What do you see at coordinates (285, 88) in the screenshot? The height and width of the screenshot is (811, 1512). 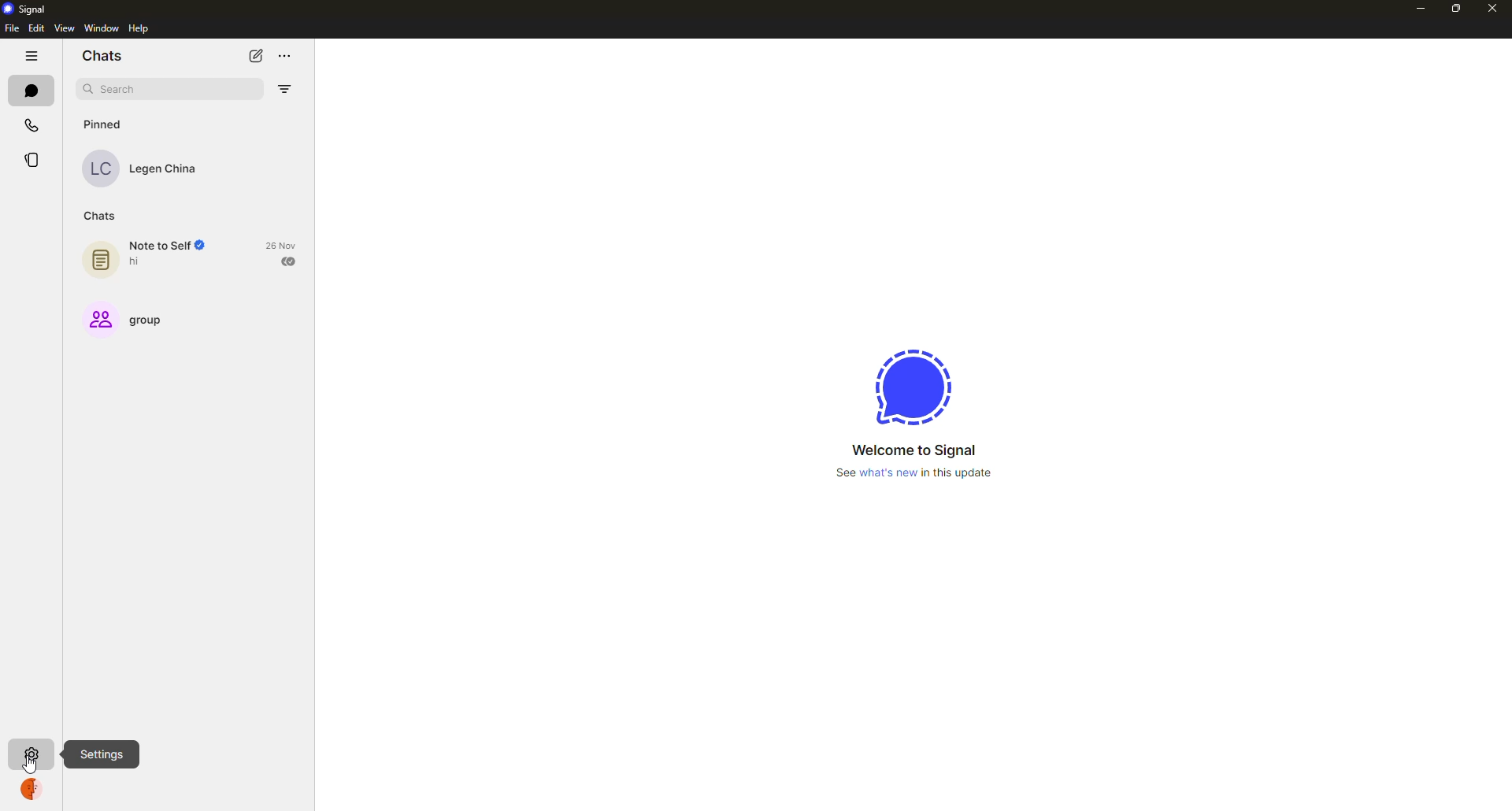 I see `filter` at bounding box center [285, 88].